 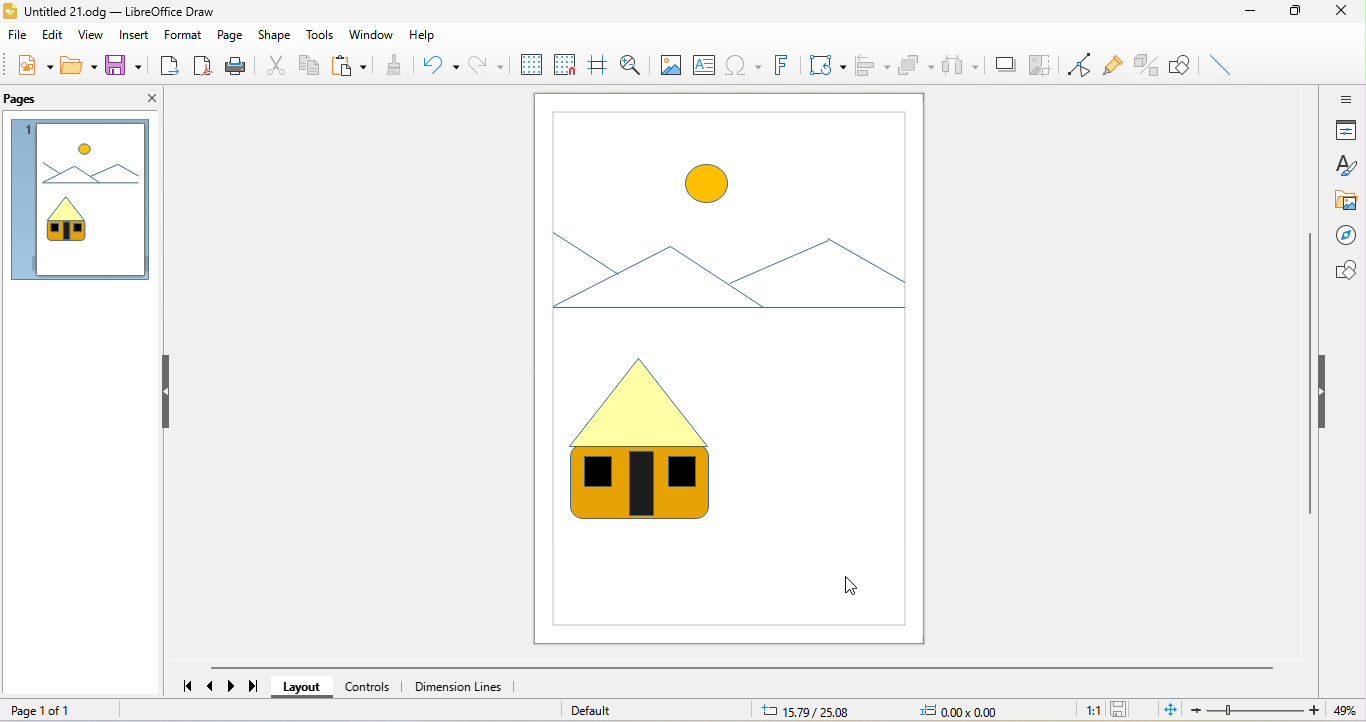 What do you see at coordinates (1123, 710) in the screenshot?
I see `save` at bounding box center [1123, 710].